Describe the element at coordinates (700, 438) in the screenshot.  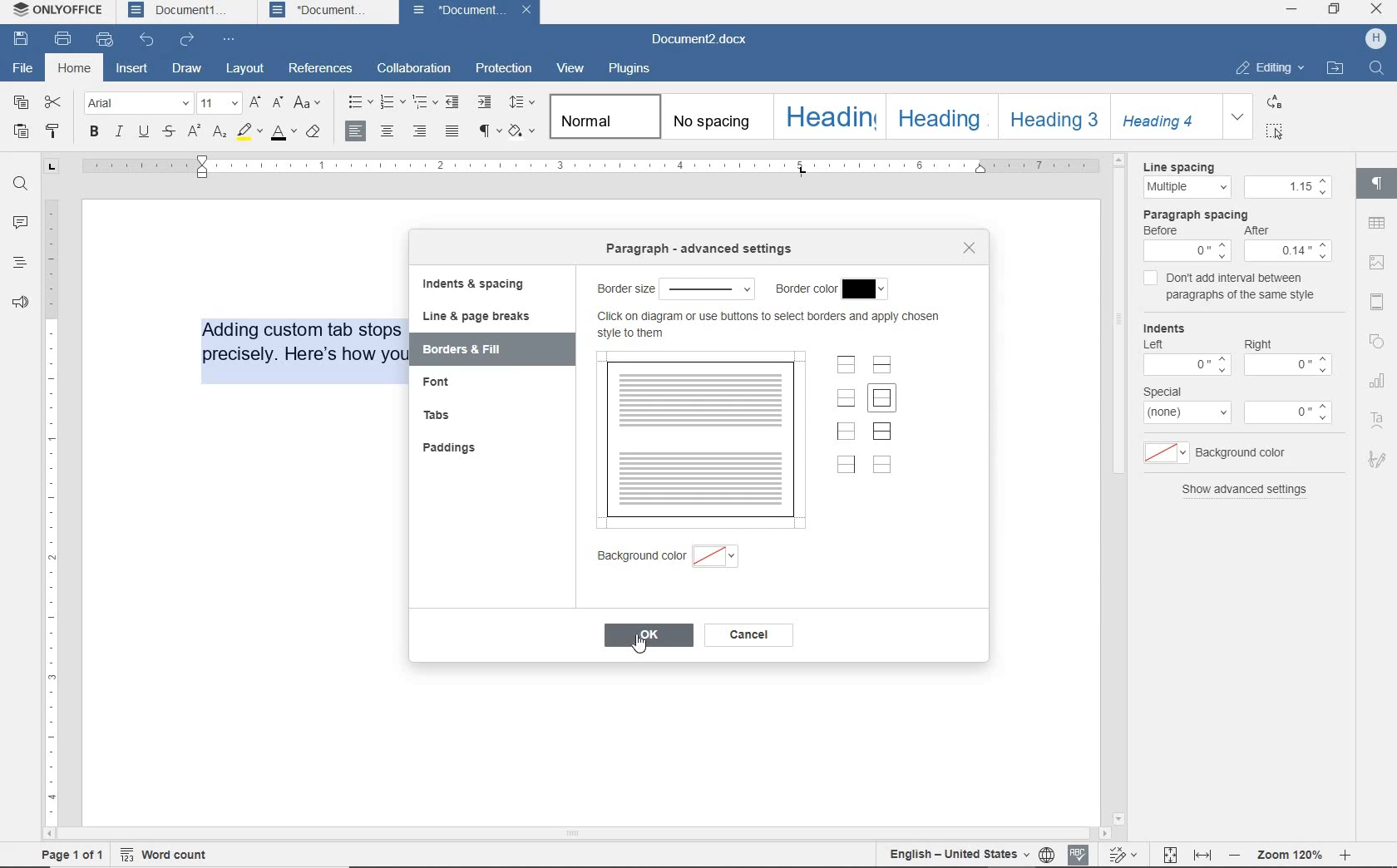
I see `preview` at that location.